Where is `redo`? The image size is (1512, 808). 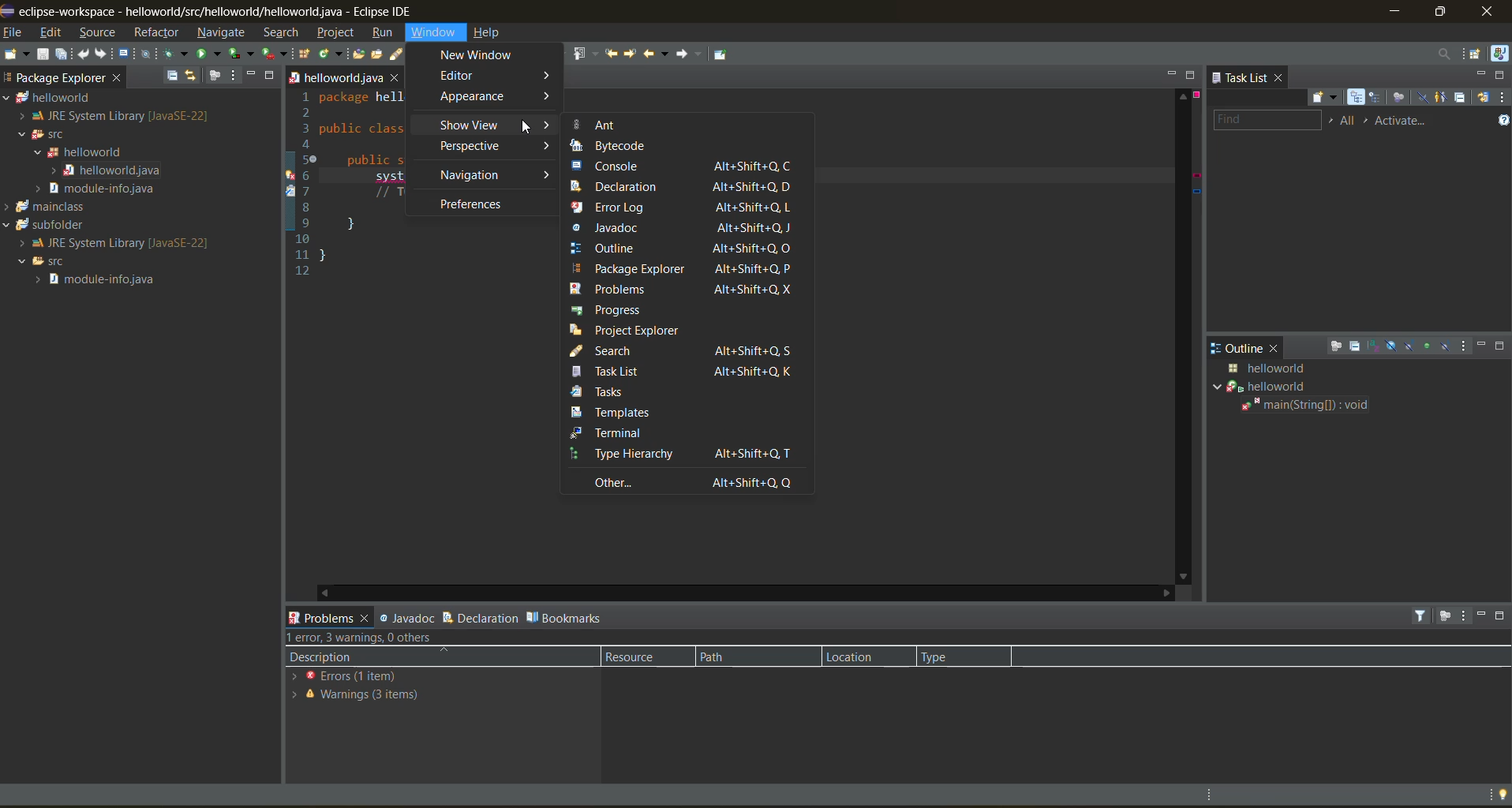
redo is located at coordinates (102, 54).